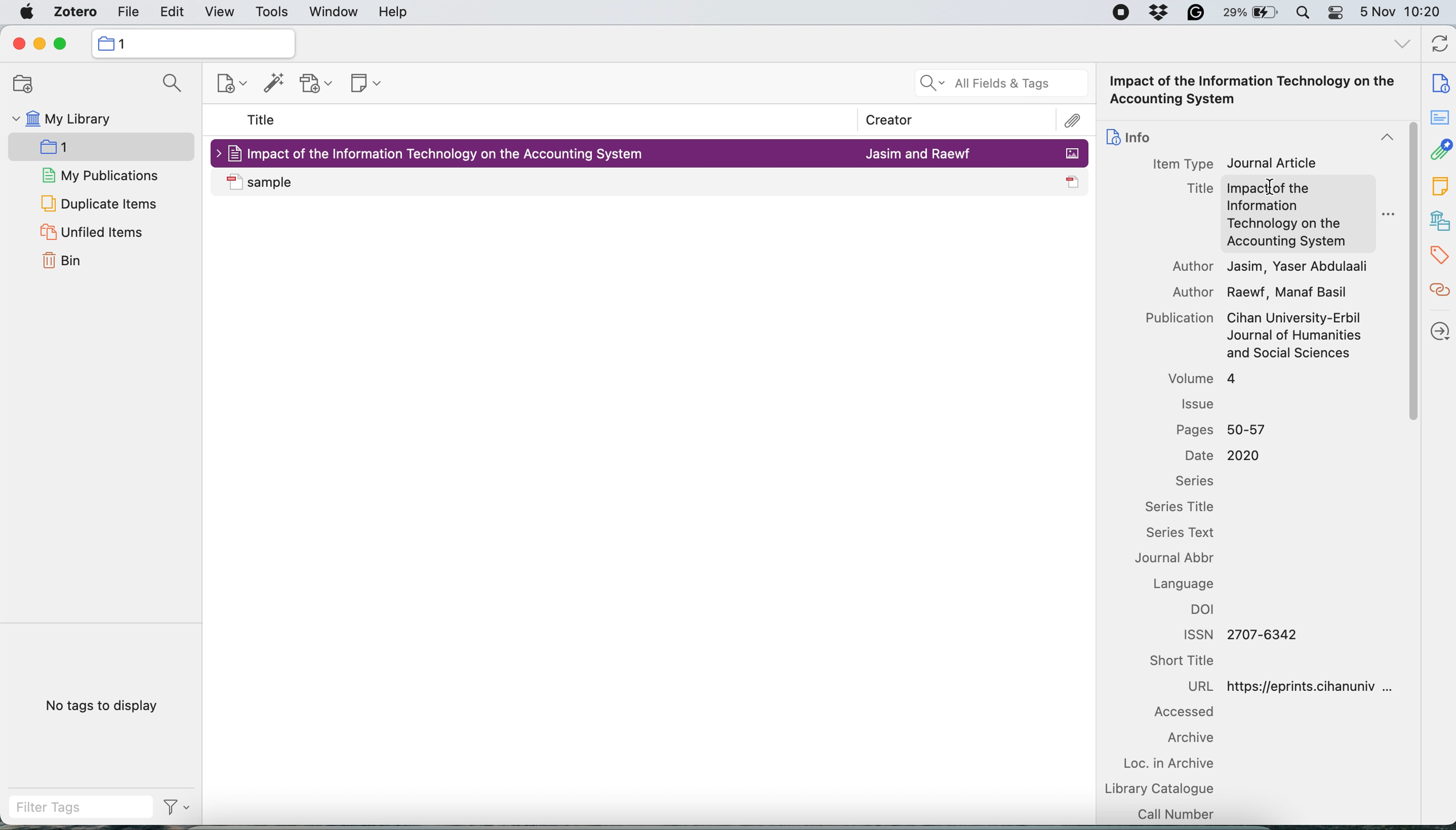 Image resolution: width=1456 pixels, height=830 pixels. Describe the element at coordinates (1439, 257) in the screenshot. I see `tags` at that location.